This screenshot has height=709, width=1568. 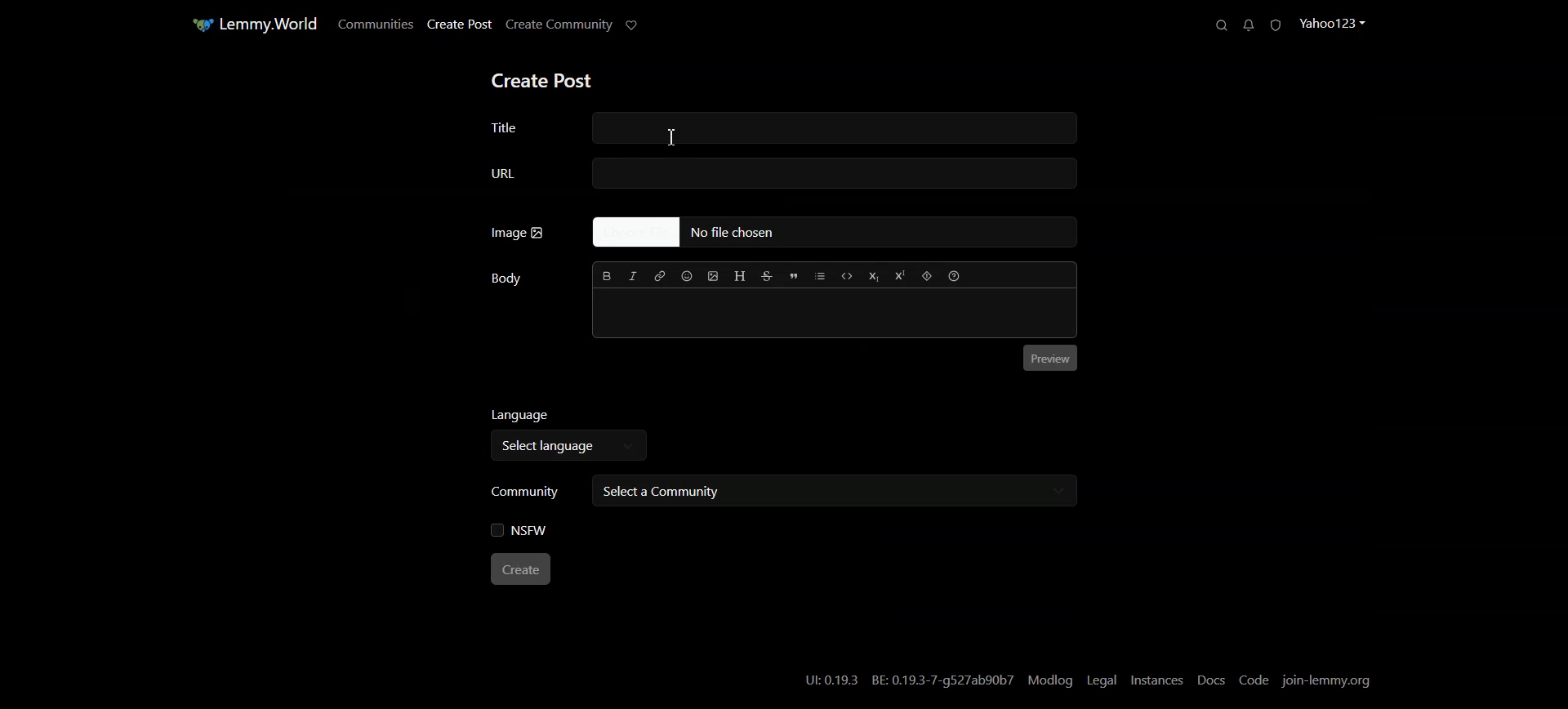 I want to click on Quote, so click(x=794, y=277).